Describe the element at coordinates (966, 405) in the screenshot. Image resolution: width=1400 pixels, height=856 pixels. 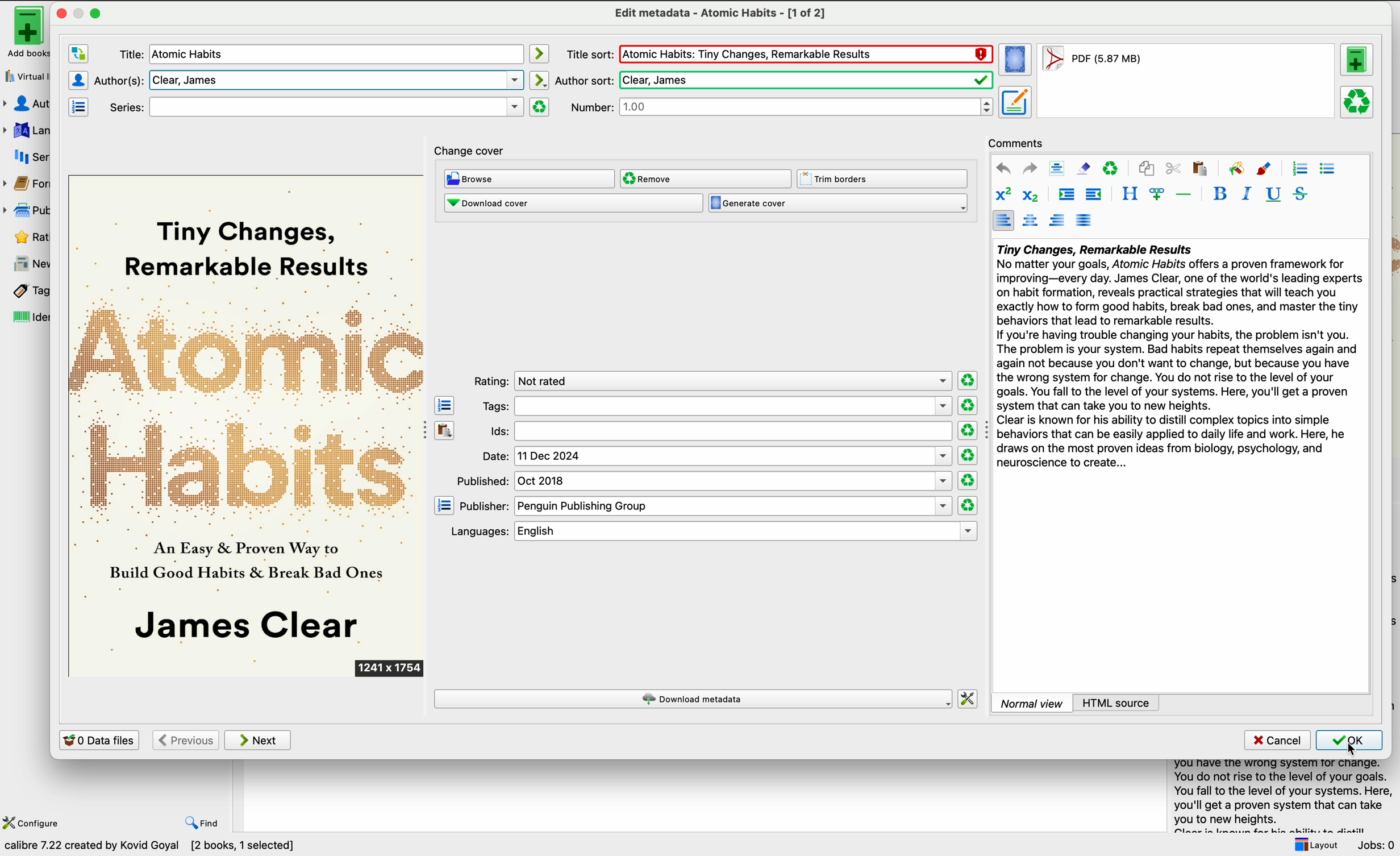
I see `clear rating` at that location.